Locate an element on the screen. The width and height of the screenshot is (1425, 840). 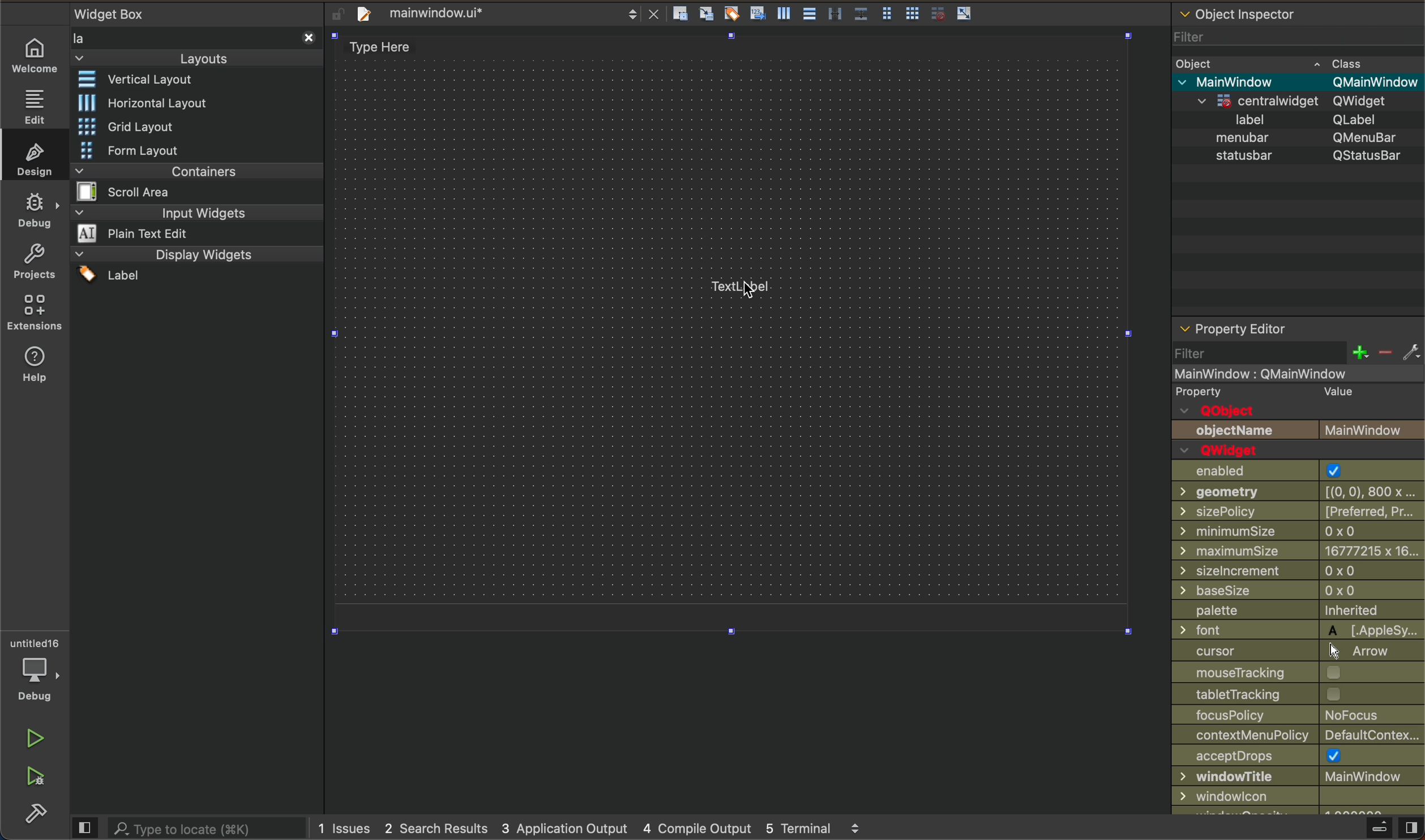
input widgets is located at coordinates (195, 212).